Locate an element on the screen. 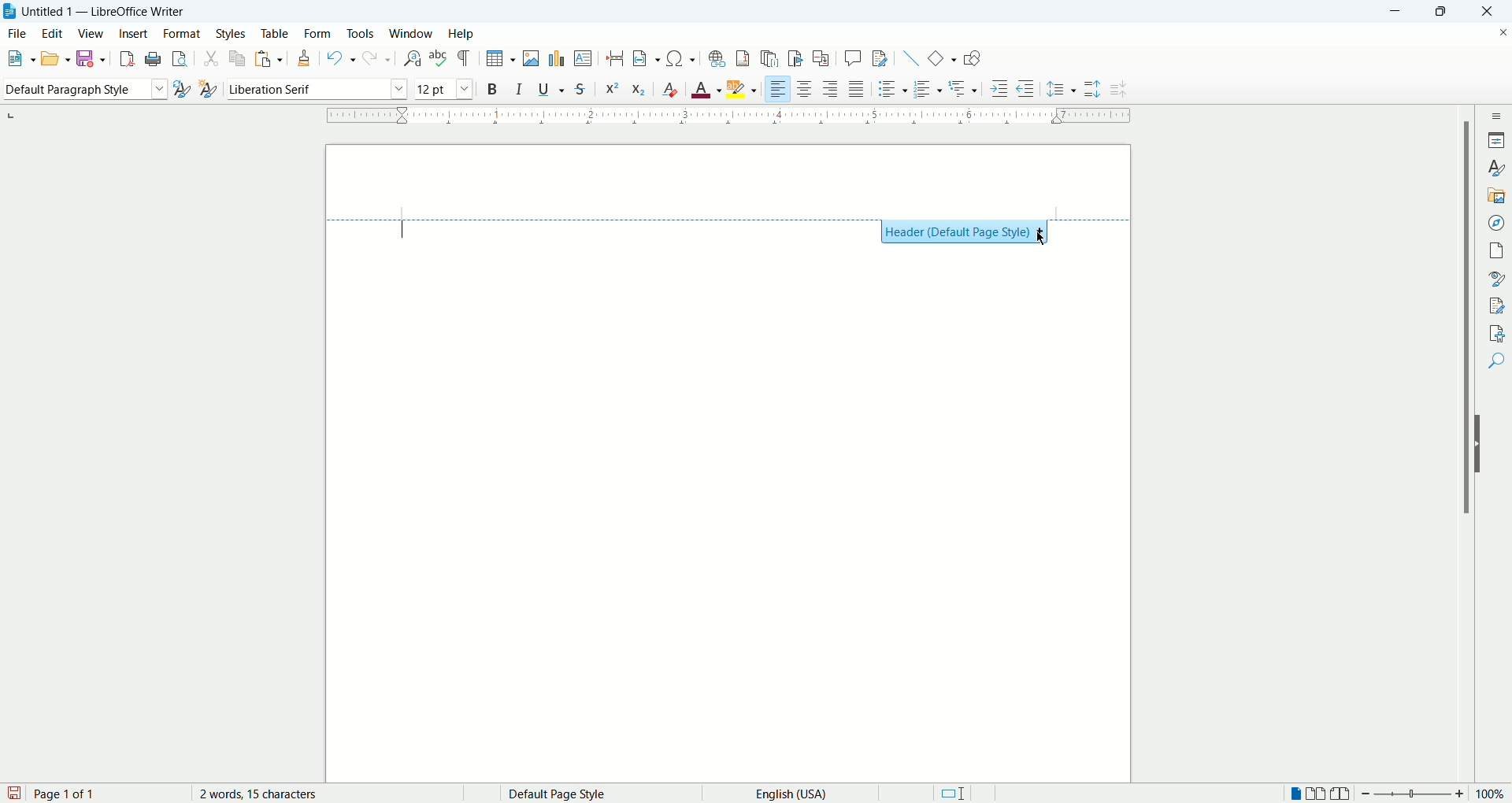 The width and height of the screenshot is (1512, 803). font size is located at coordinates (446, 90).